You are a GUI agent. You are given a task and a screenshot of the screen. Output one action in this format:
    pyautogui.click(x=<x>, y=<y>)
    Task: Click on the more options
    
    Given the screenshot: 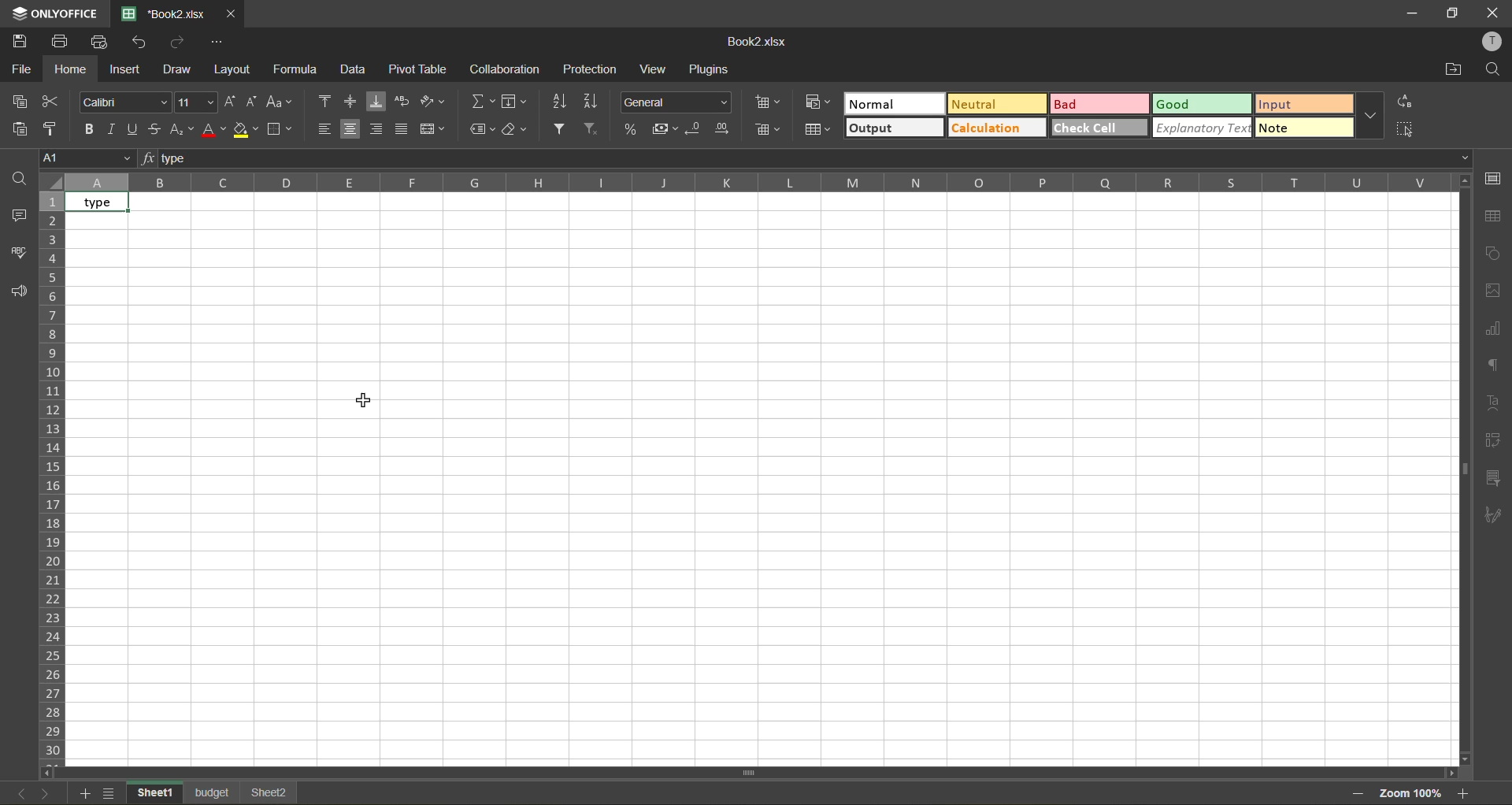 What is the action you would take?
    pyautogui.click(x=1373, y=117)
    